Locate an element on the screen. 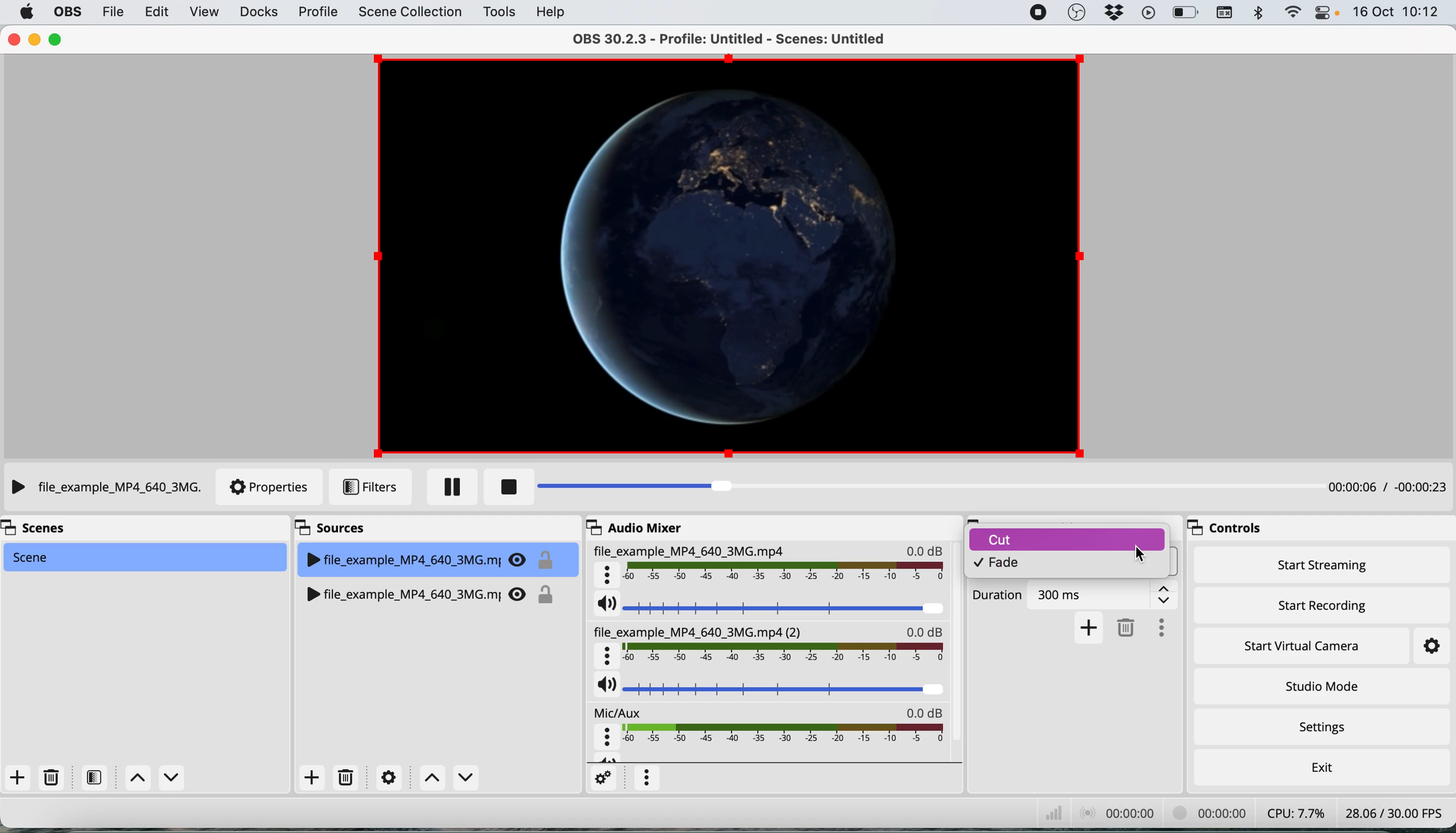  wifi is located at coordinates (1296, 13).